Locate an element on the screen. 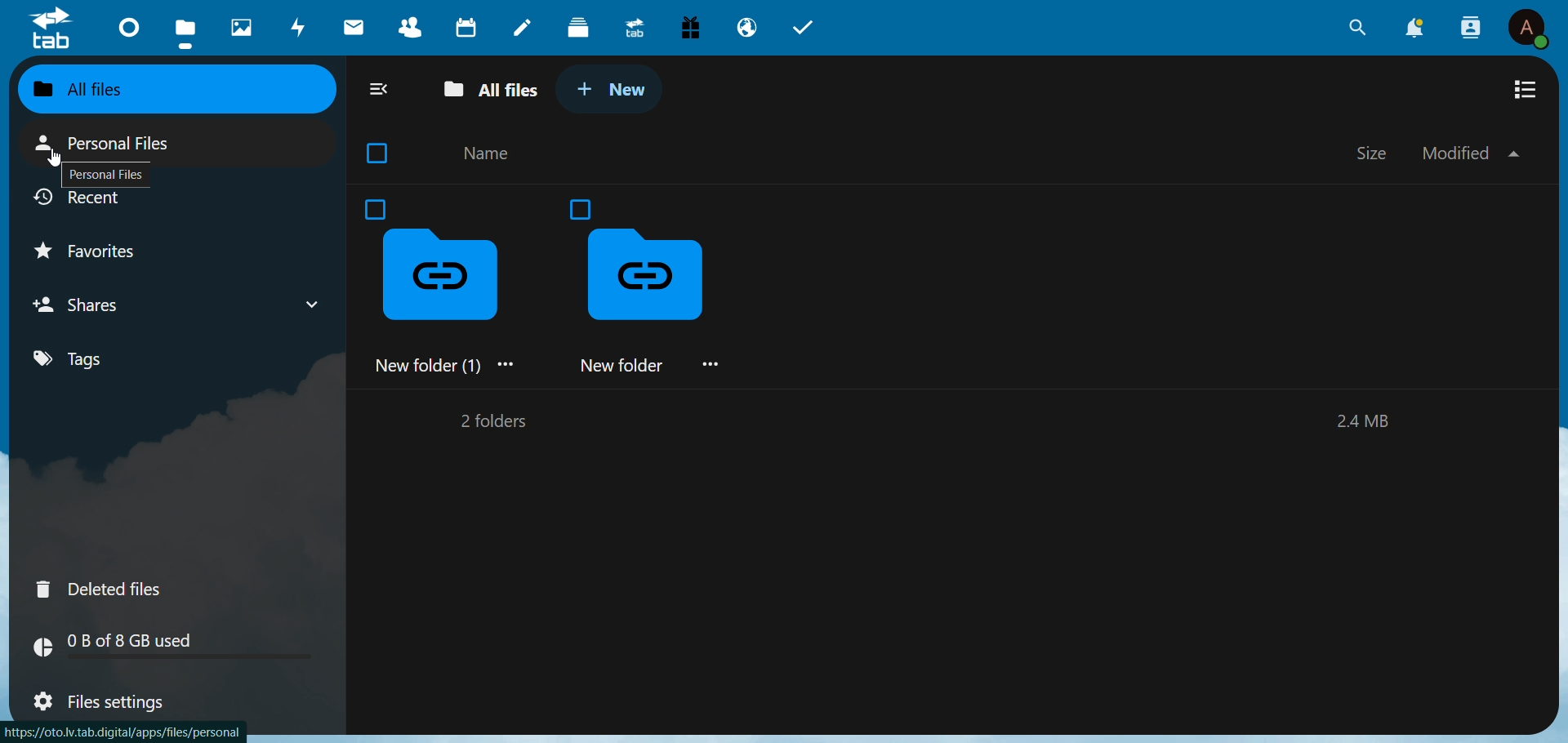  deck is located at coordinates (581, 28).